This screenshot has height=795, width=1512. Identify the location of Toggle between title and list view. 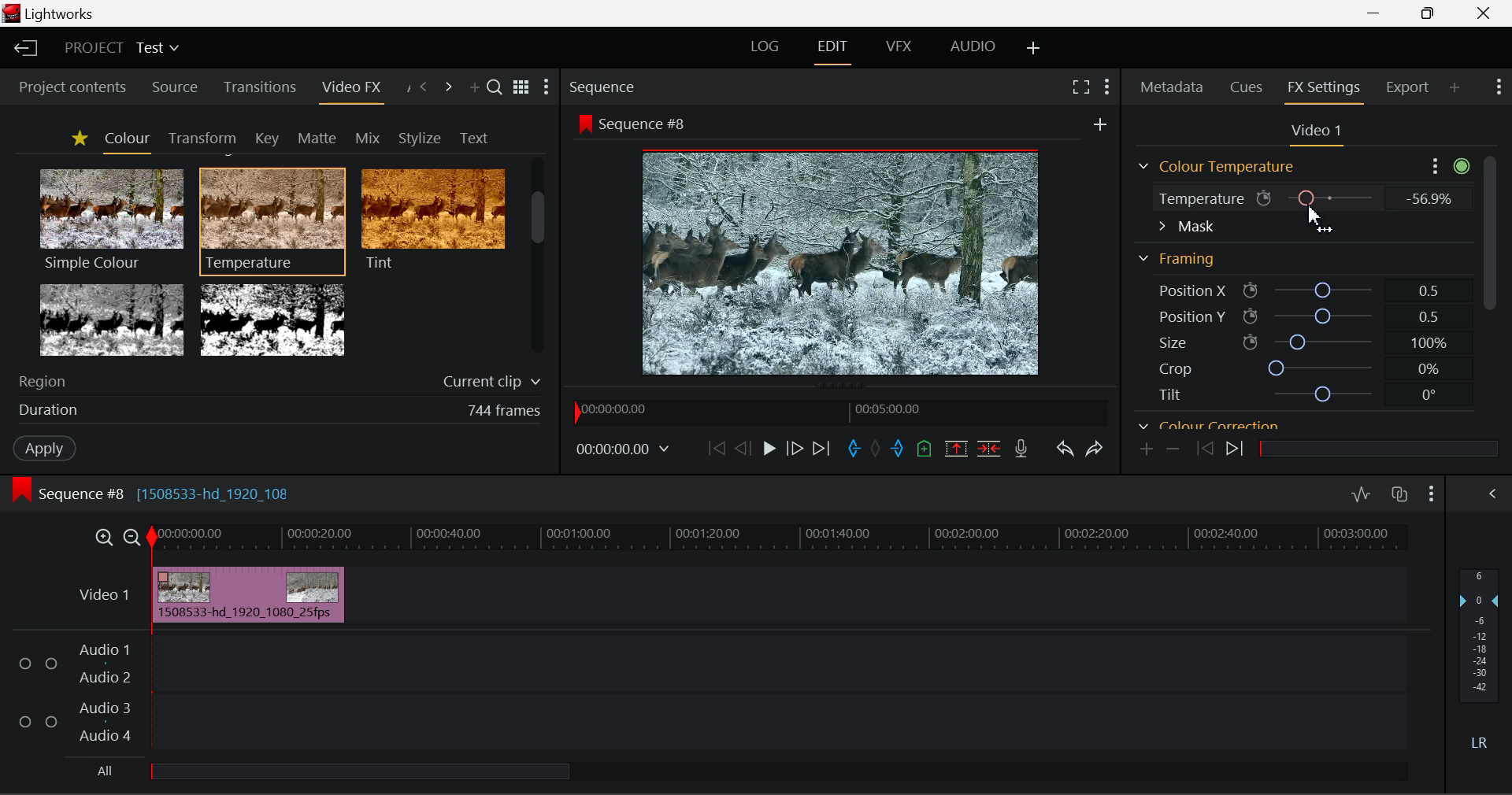
(523, 88).